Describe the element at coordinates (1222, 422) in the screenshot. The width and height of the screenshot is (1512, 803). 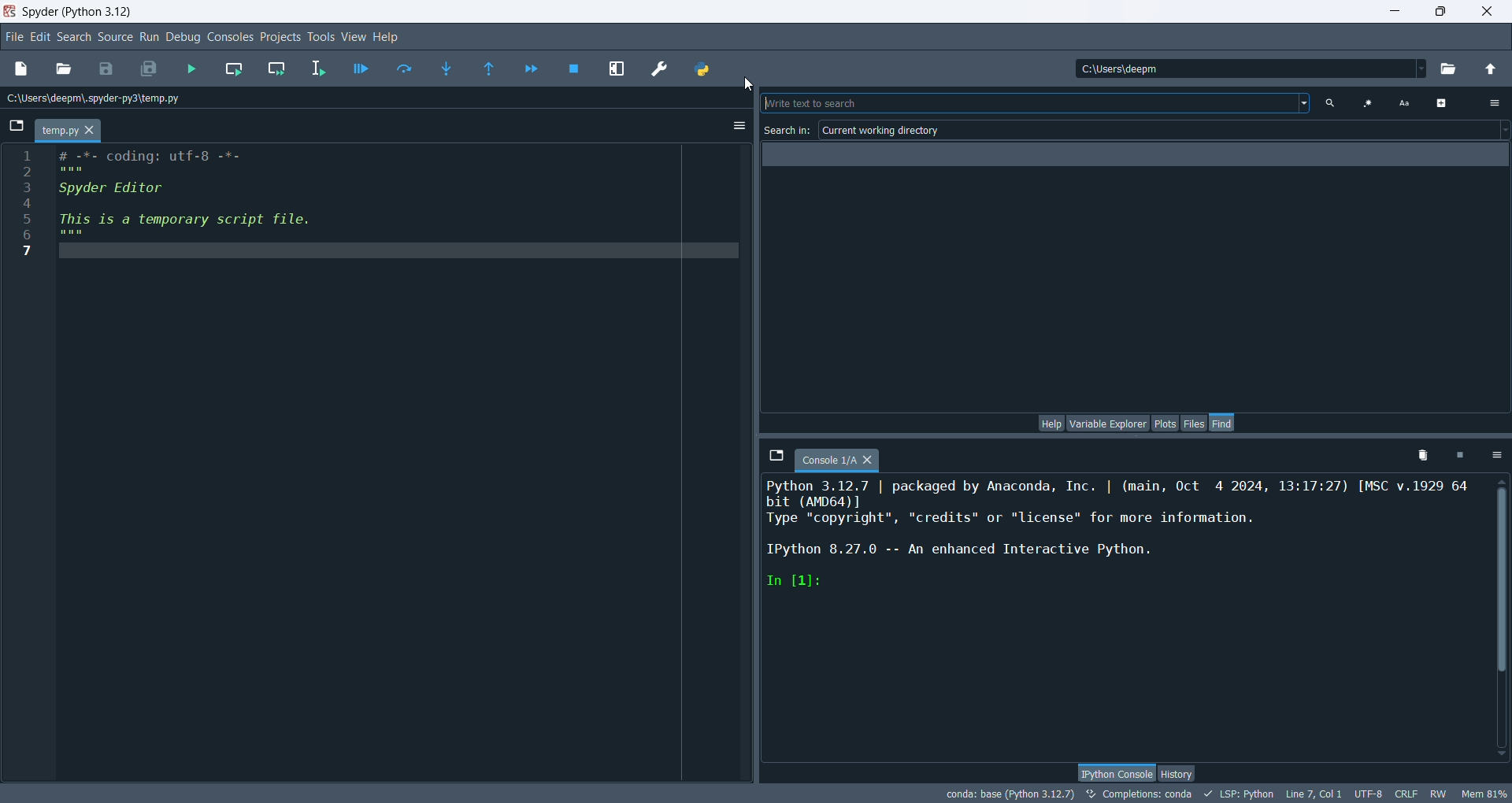
I see `find` at that location.